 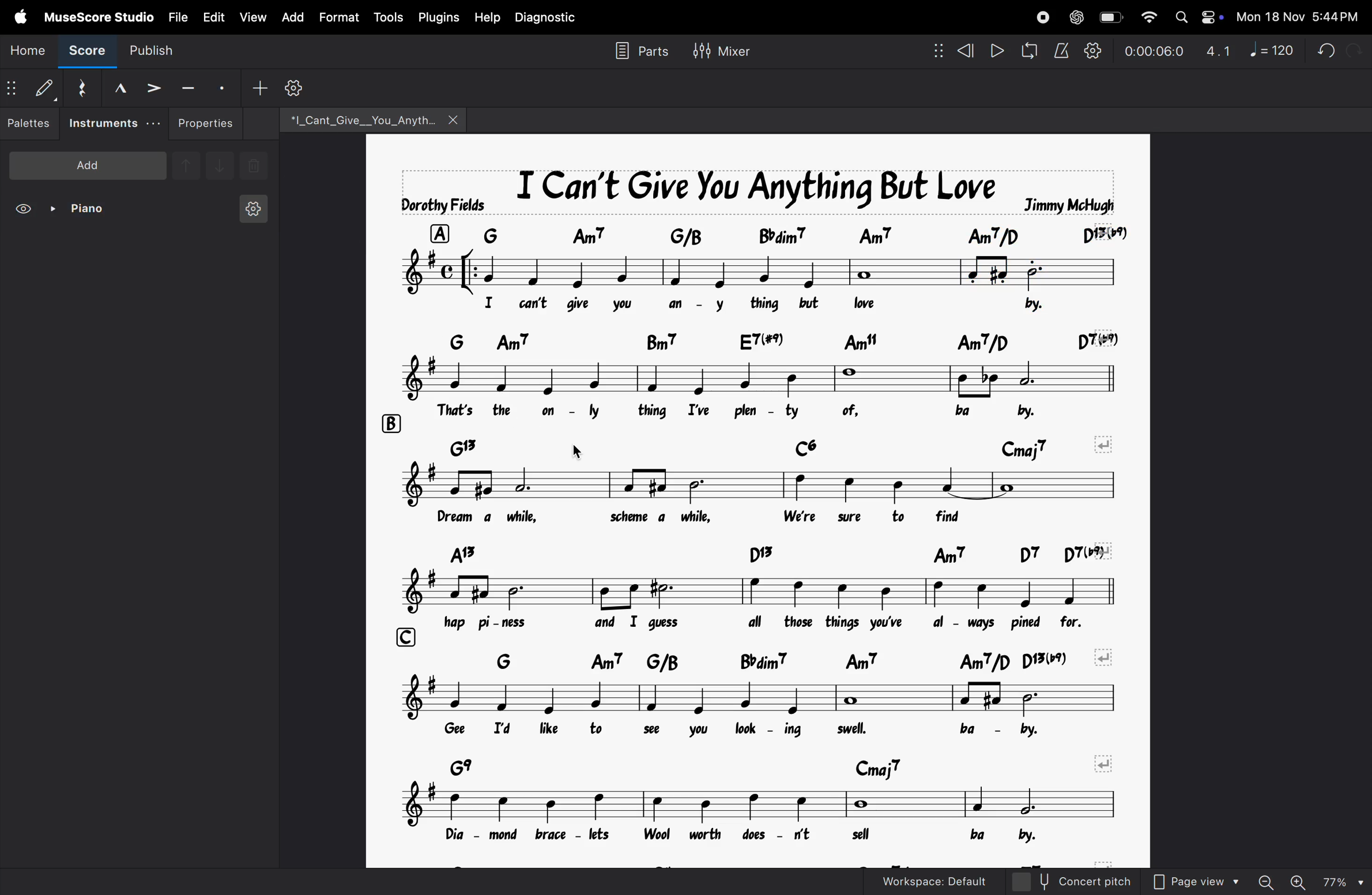 I want to click on mixer, so click(x=724, y=52).